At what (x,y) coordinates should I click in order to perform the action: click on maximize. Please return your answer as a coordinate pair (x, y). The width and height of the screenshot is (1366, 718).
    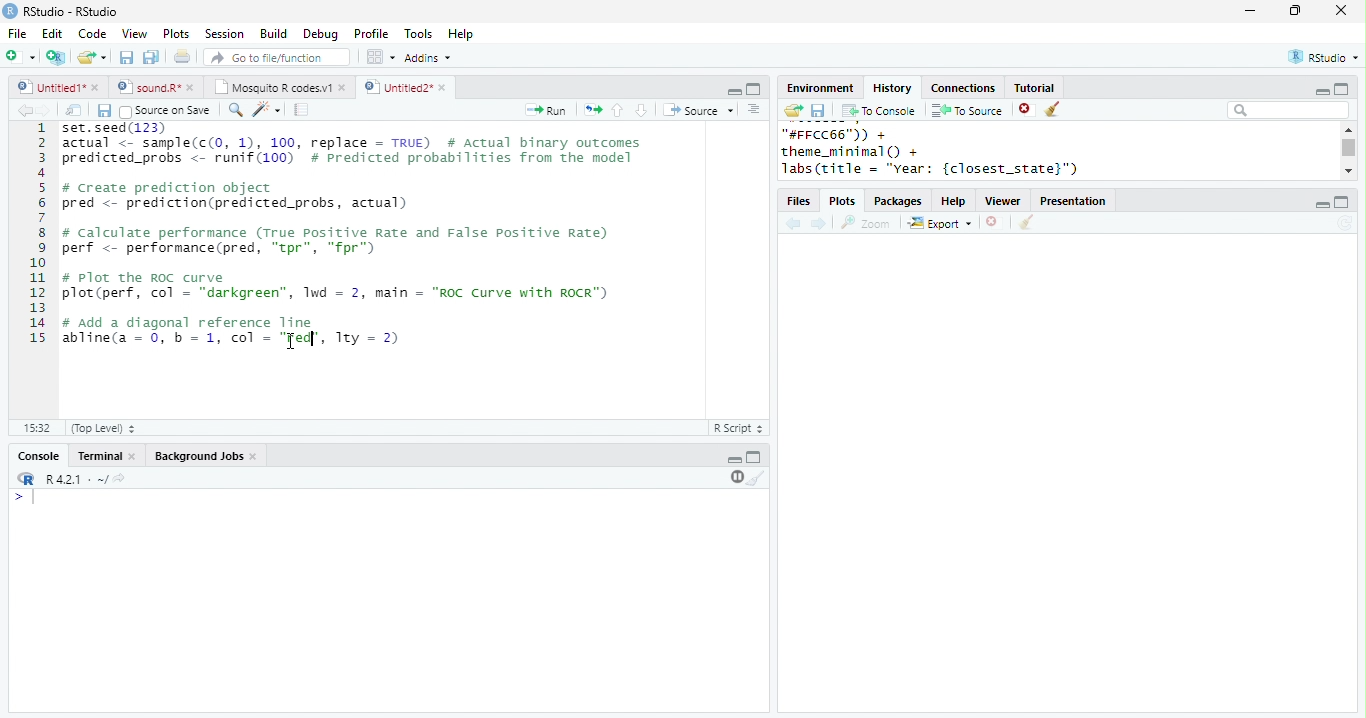
    Looking at the image, I should click on (1340, 88).